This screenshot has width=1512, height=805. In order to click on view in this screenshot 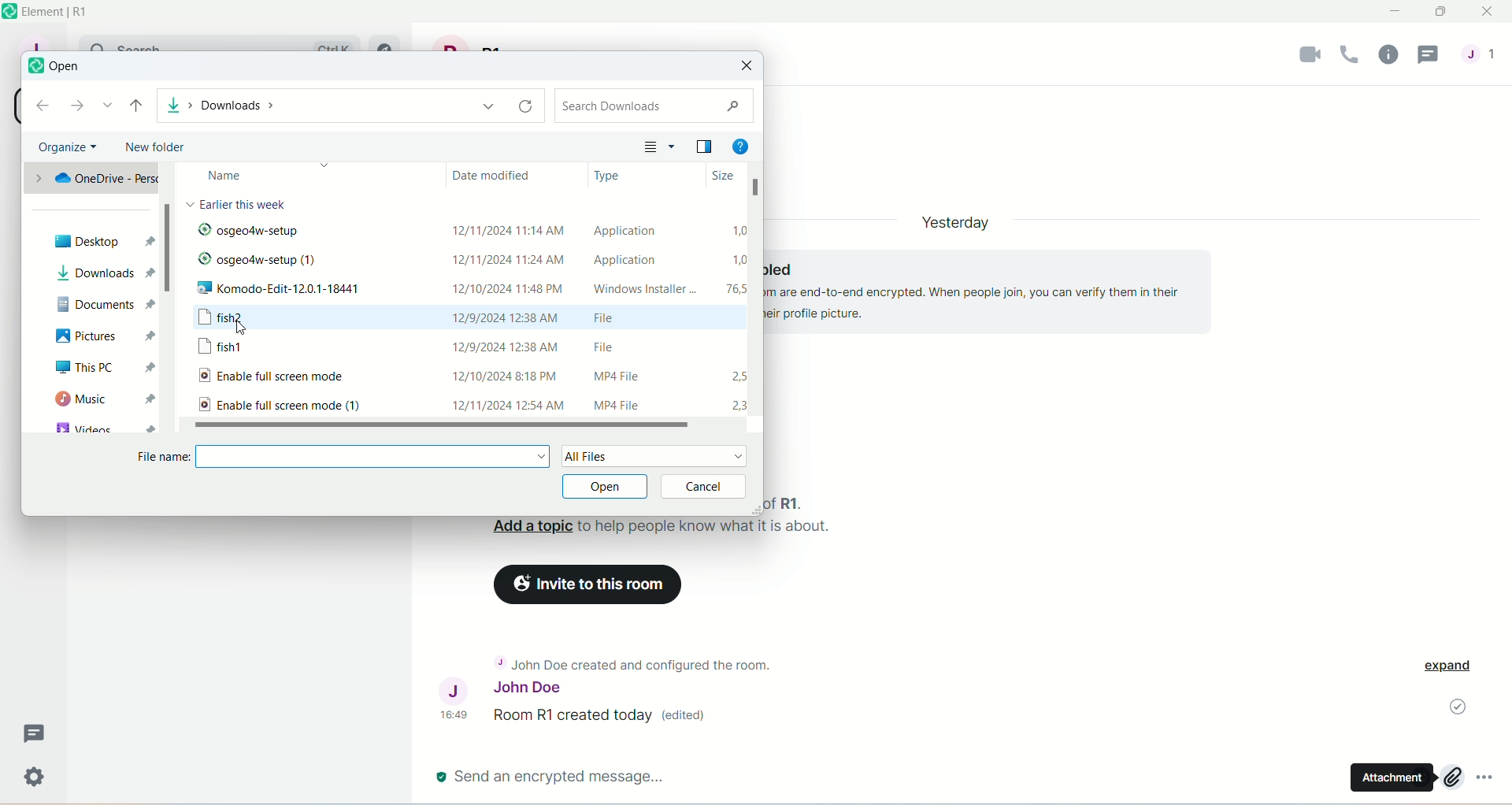, I will do `click(702, 146)`.